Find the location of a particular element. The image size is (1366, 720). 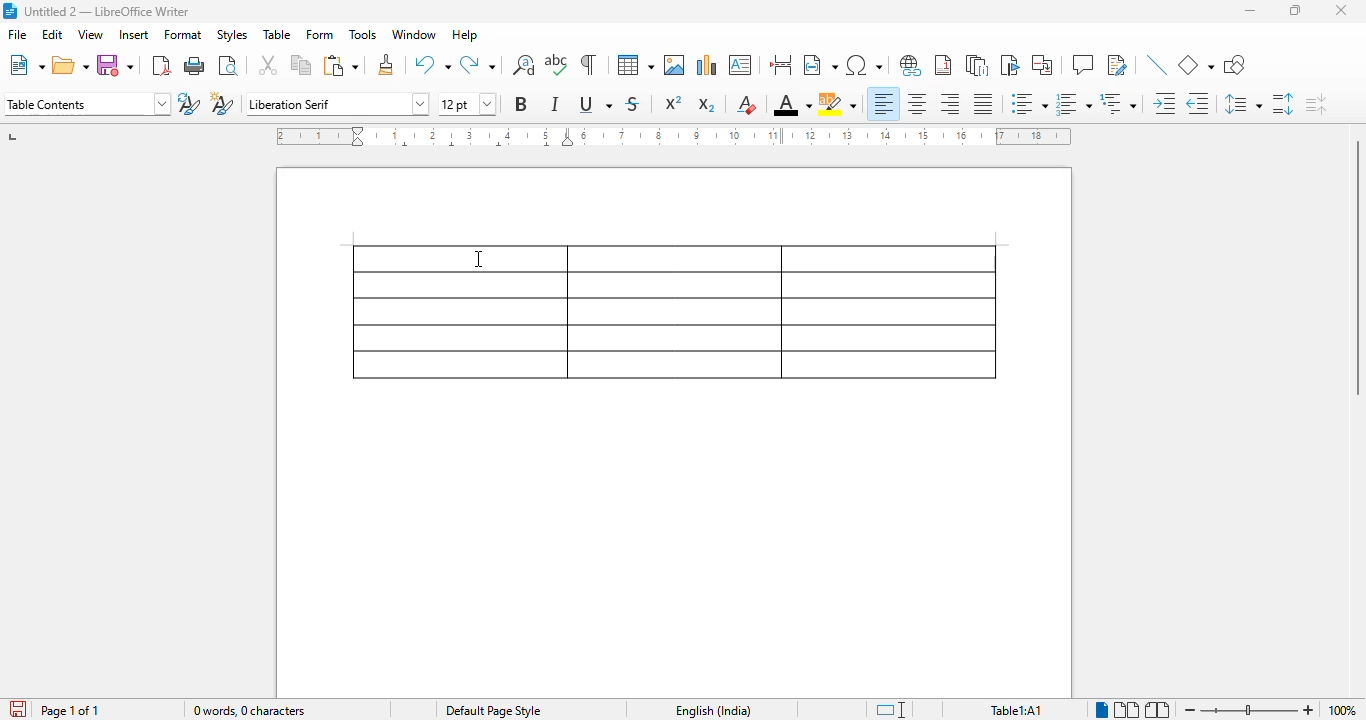

insert line is located at coordinates (1159, 65).